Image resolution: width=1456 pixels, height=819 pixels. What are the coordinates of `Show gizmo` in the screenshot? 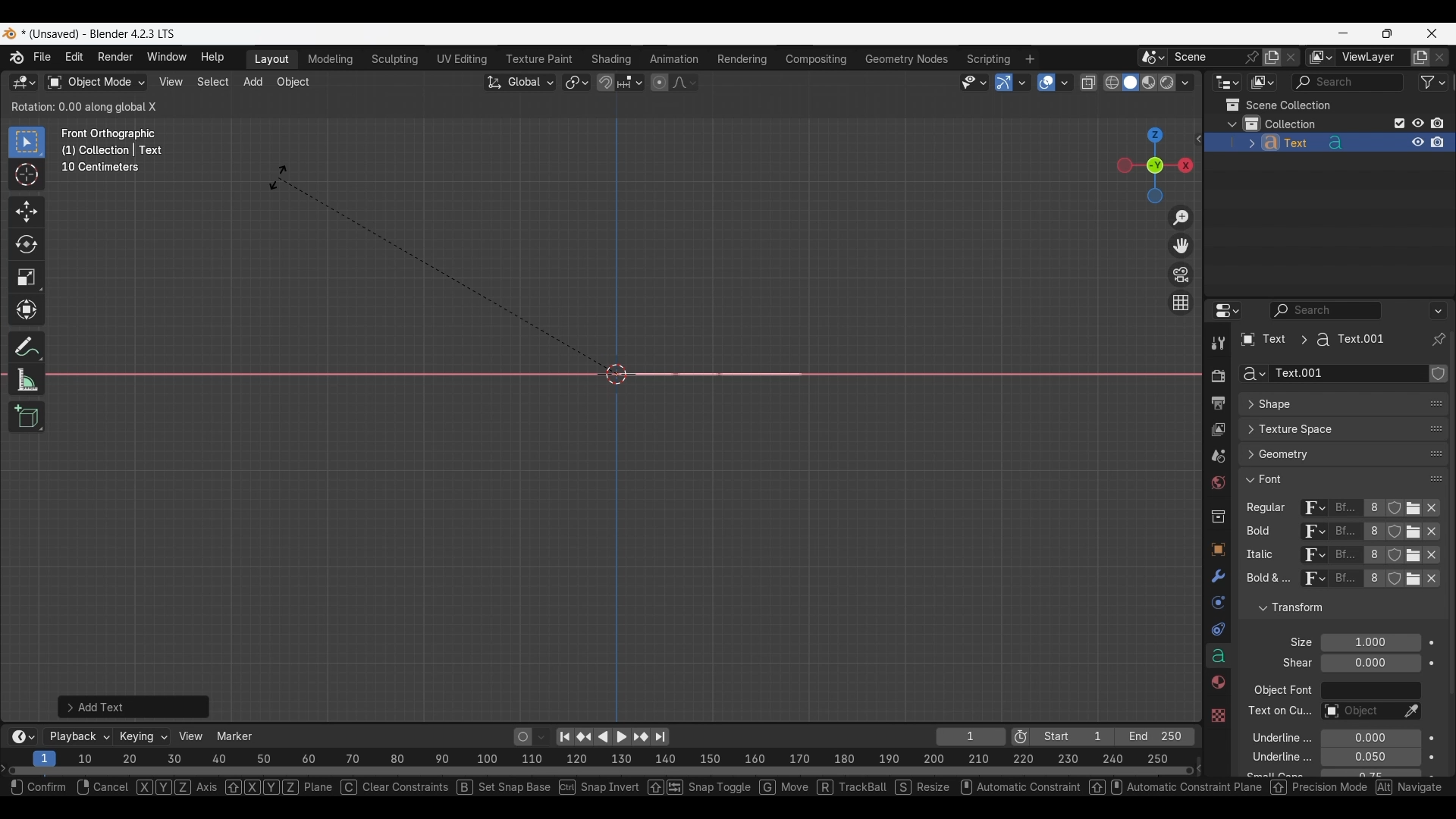 It's located at (1004, 83).